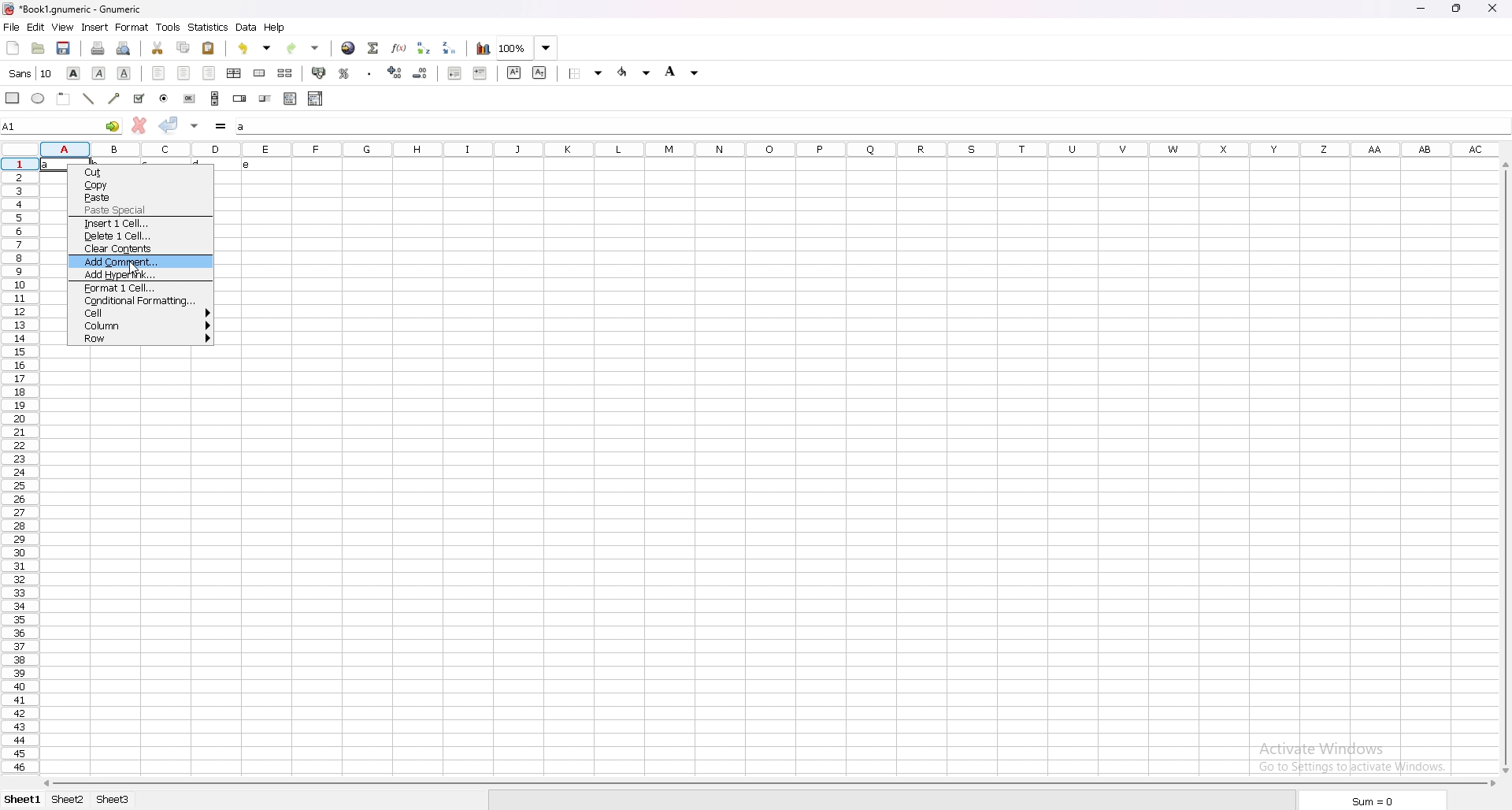  Describe the element at coordinates (221, 126) in the screenshot. I see `formula` at that location.